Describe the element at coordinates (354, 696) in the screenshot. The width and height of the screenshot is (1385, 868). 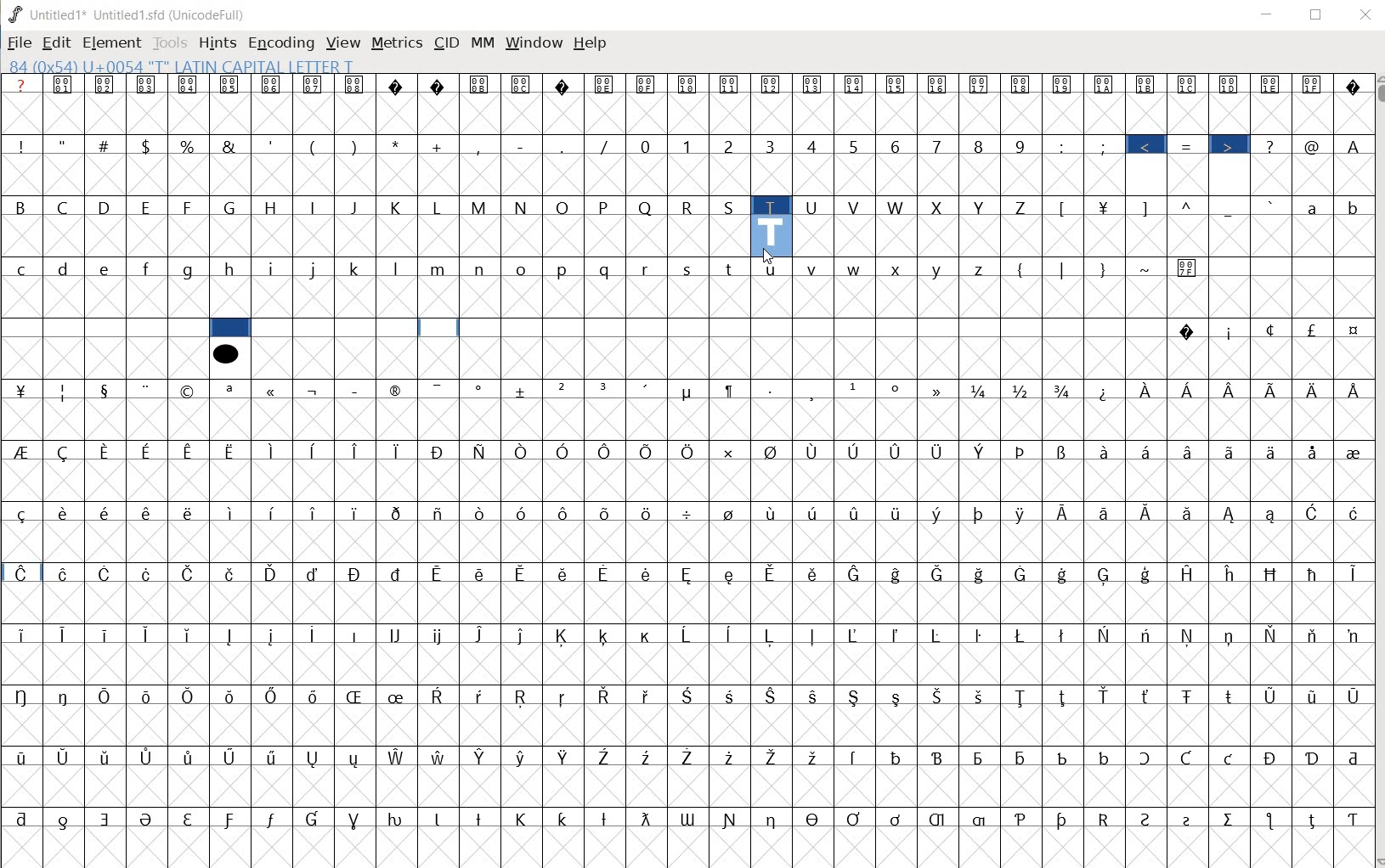
I see `Symbol` at that location.